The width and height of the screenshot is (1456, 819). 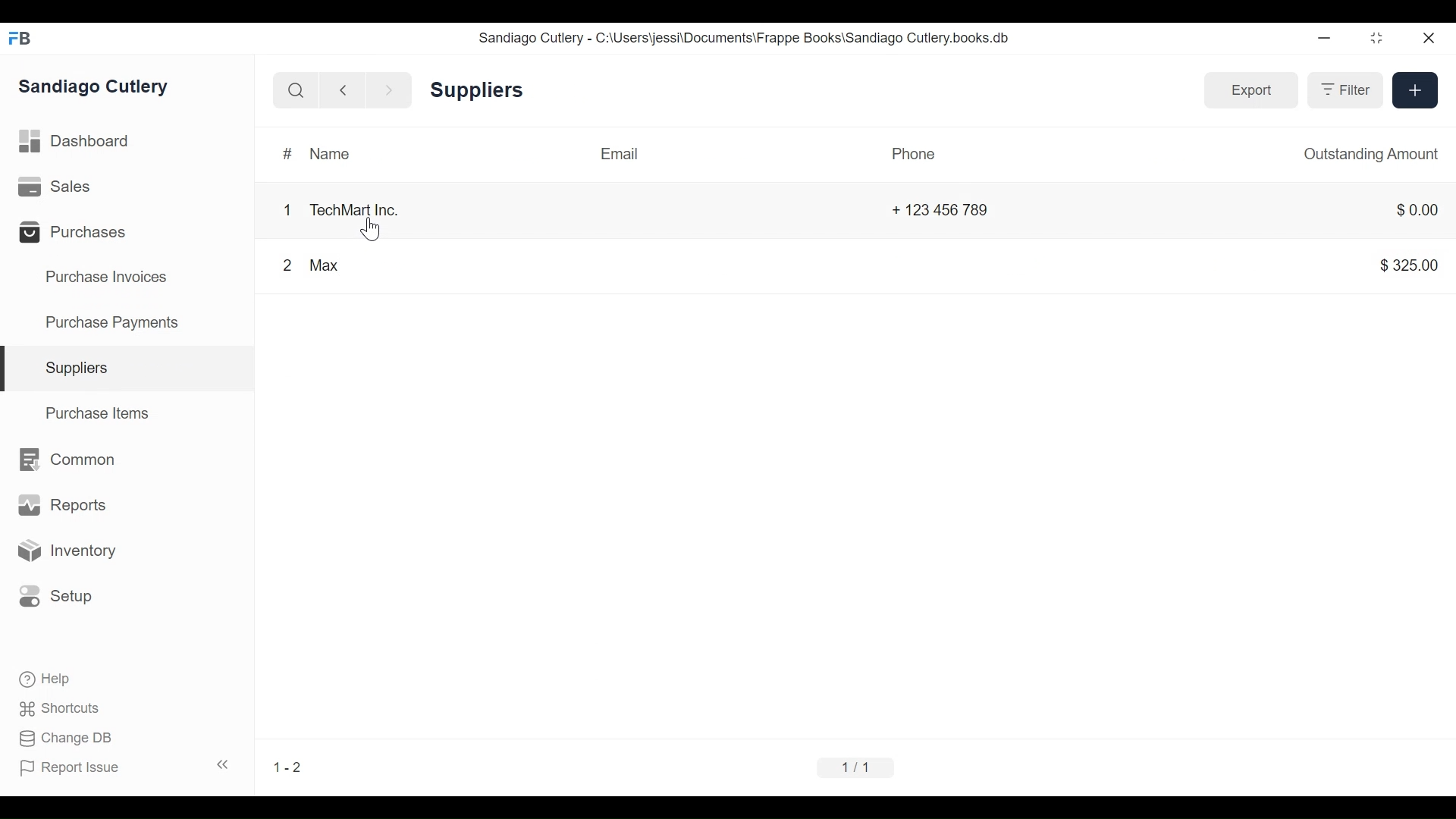 I want to click on next, so click(x=388, y=89).